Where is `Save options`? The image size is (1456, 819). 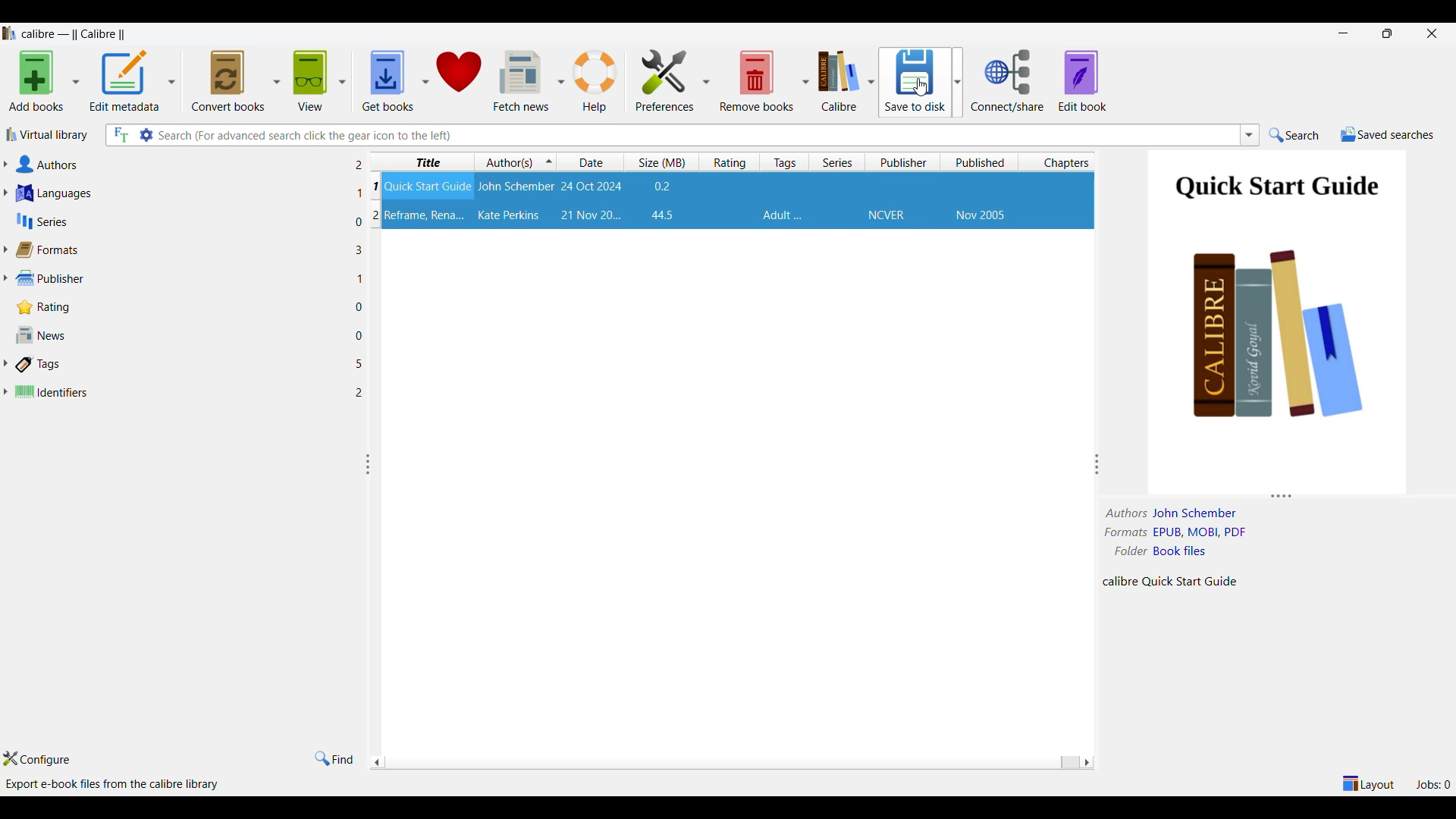
Save options is located at coordinates (921, 82).